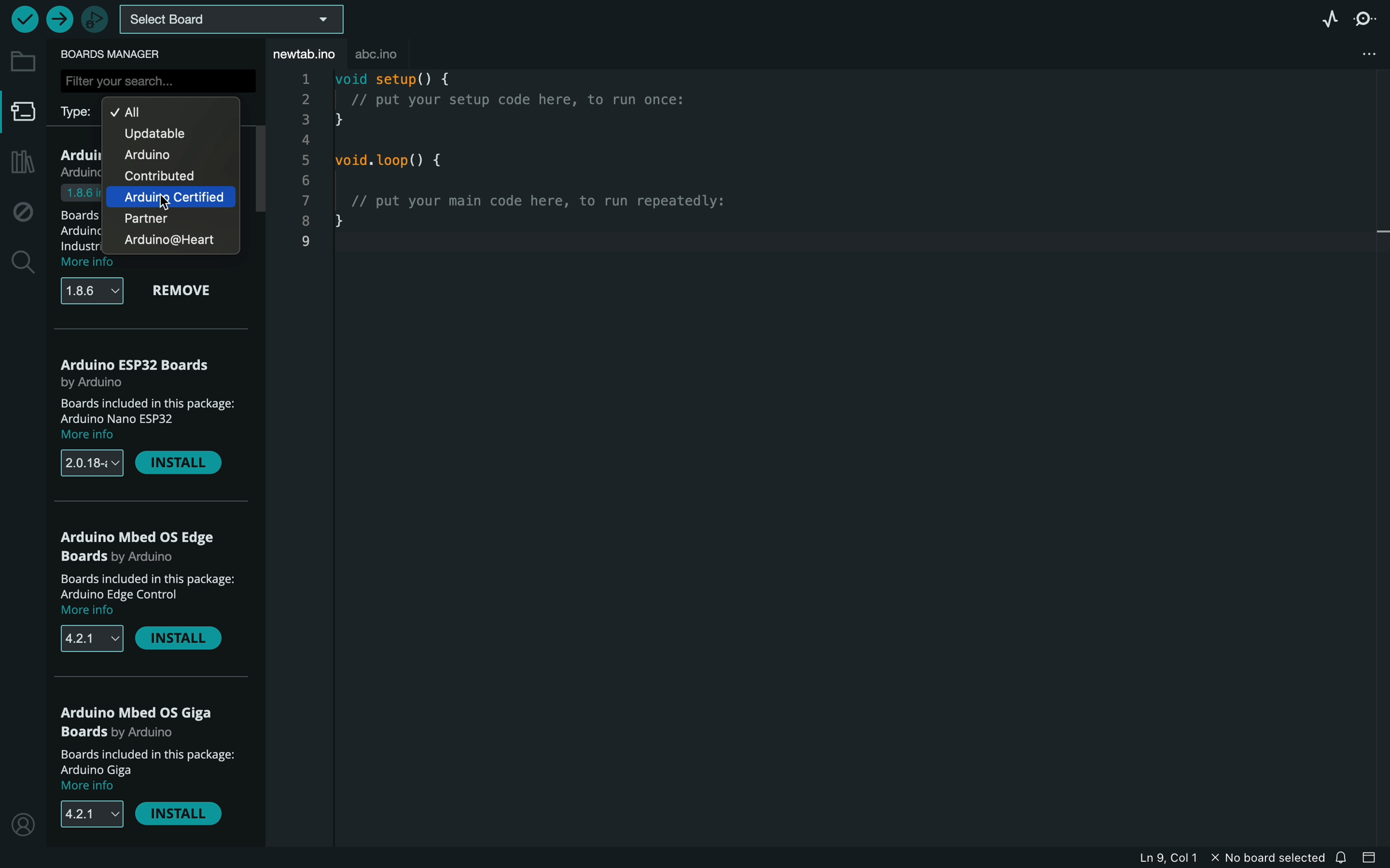 This screenshot has height=868, width=1390. What do you see at coordinates (91, 18) in the screenshot?
I see `debugger` at bounding box center [91, 18].